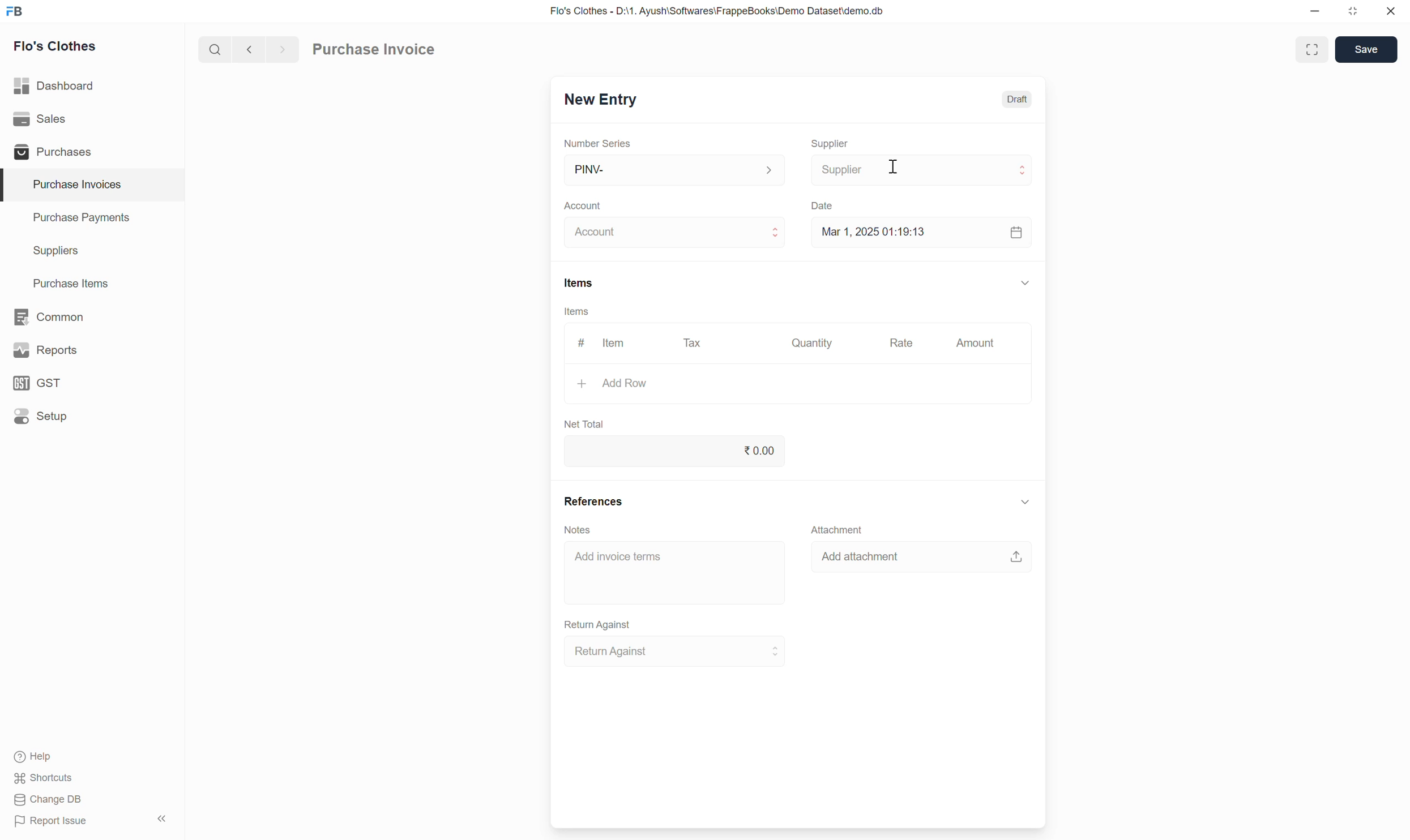 The image size is (1410, 840). Describe the element at coordinates (599, 623) in the screenshot. I see `Return Against` at that location.